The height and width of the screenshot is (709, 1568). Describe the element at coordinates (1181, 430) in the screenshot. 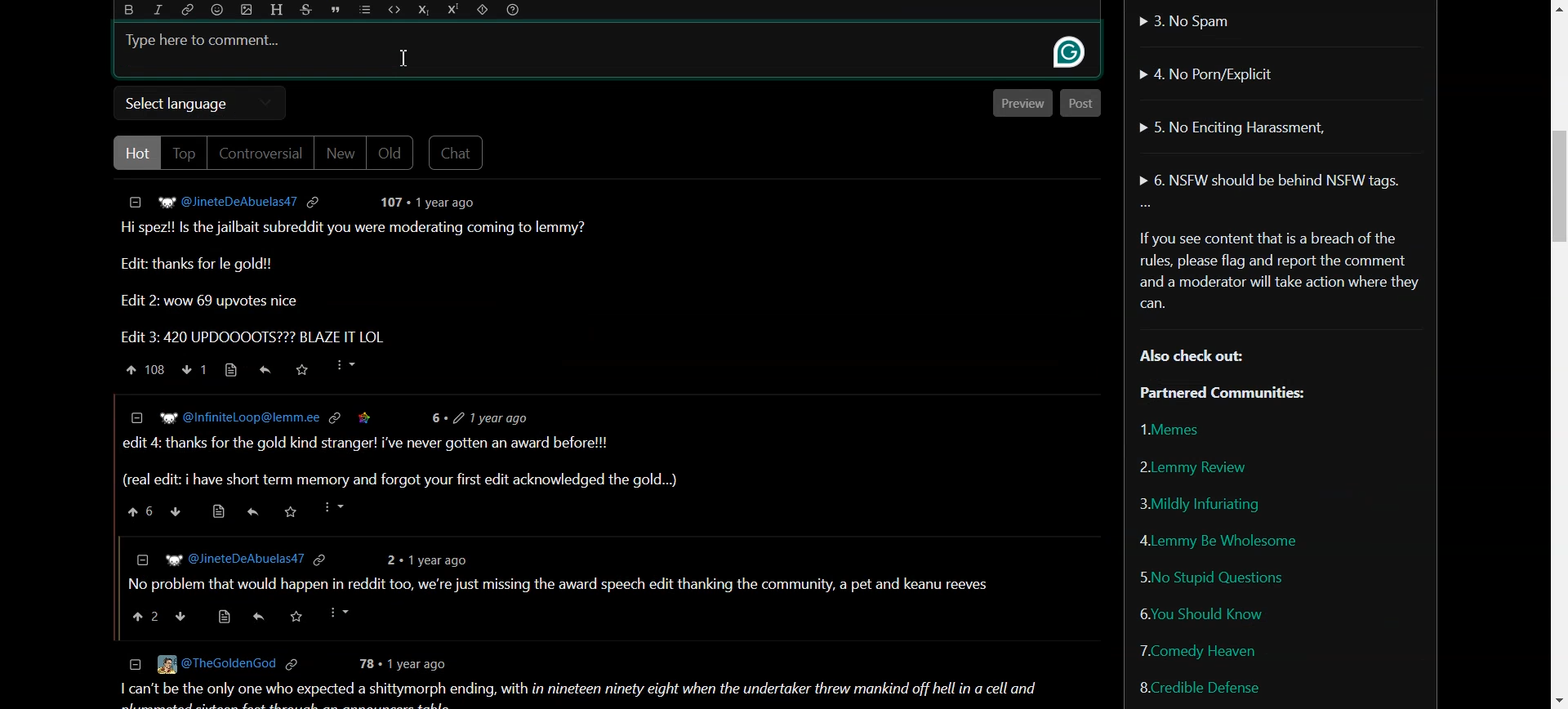

I see `Memes` at that location.